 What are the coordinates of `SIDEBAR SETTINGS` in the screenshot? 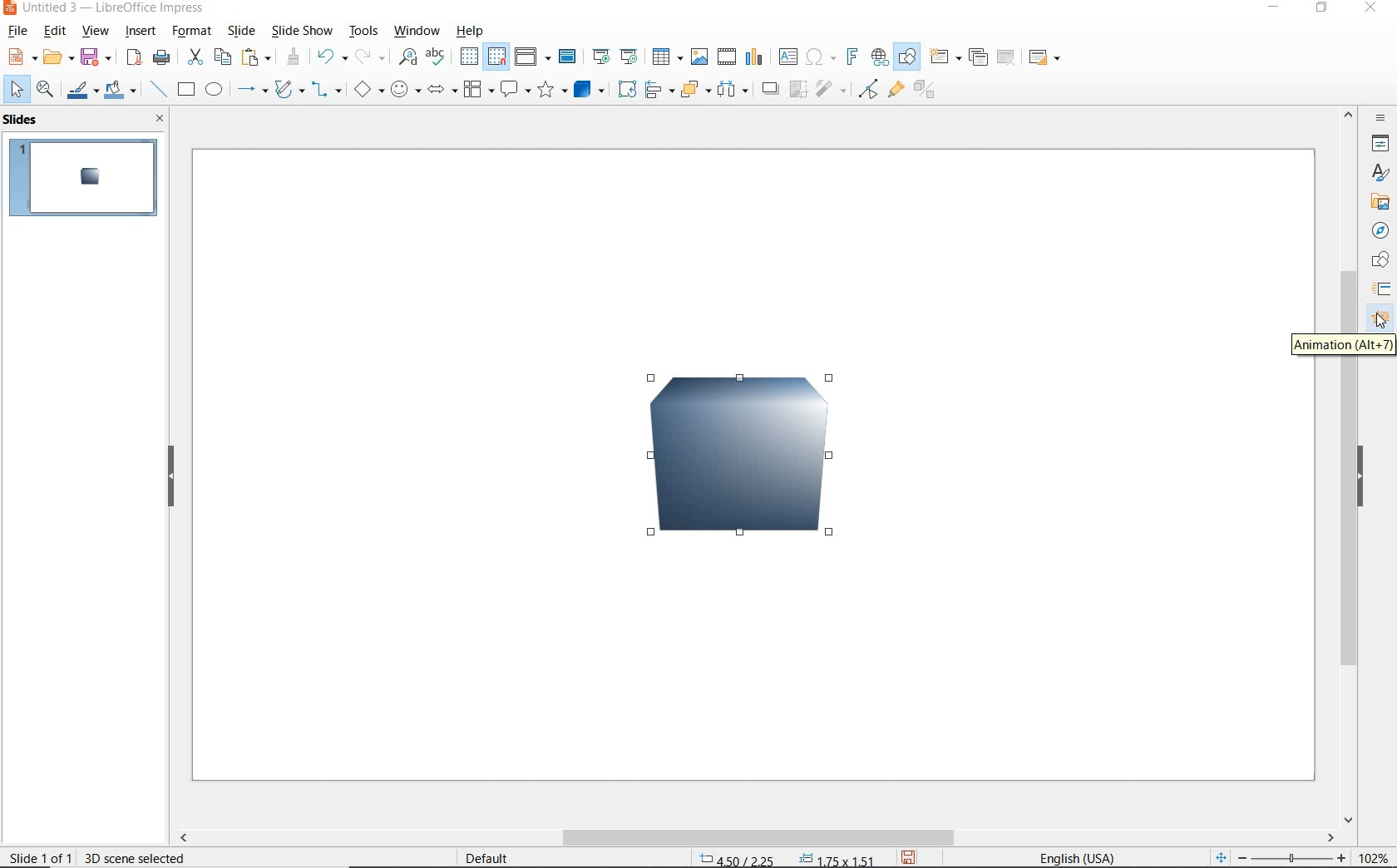 It's located at (1381, 121).